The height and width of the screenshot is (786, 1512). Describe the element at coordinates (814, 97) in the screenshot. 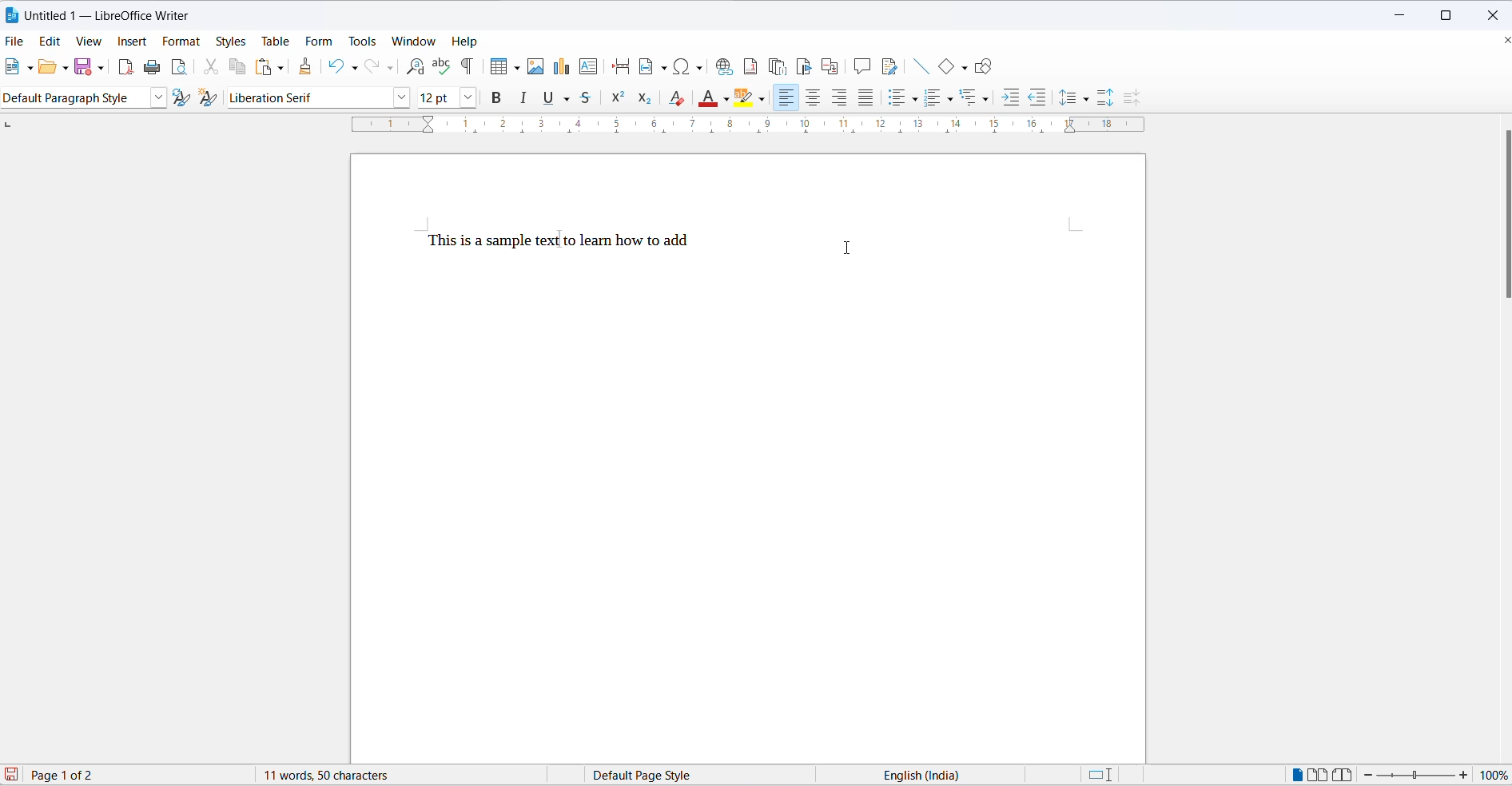

I see `text align center` at that location.